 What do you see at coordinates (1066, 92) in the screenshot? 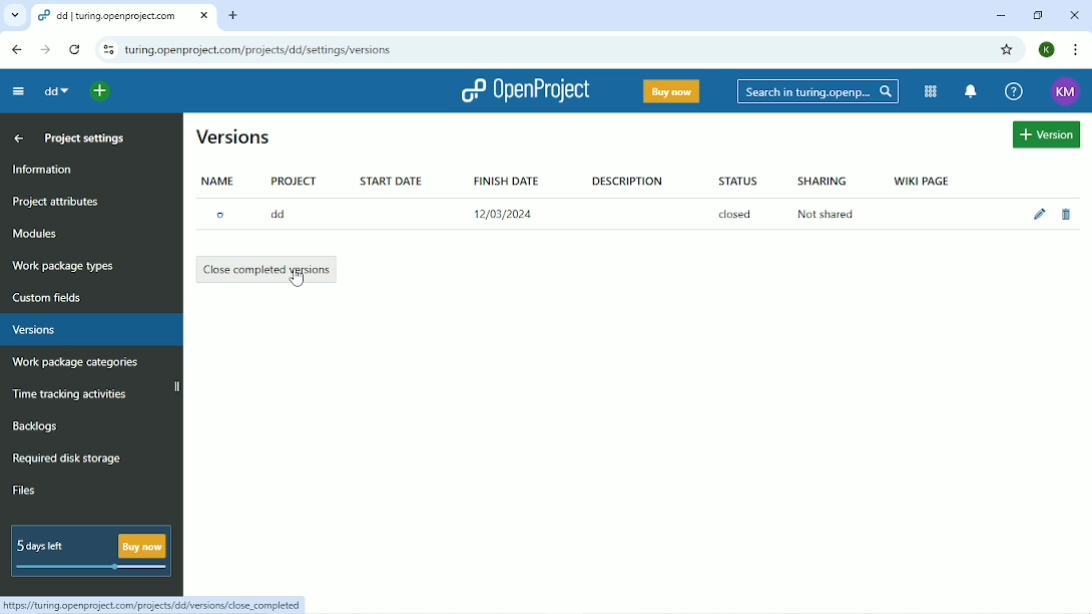
I see `Account` at bounding box center [1066, 92].